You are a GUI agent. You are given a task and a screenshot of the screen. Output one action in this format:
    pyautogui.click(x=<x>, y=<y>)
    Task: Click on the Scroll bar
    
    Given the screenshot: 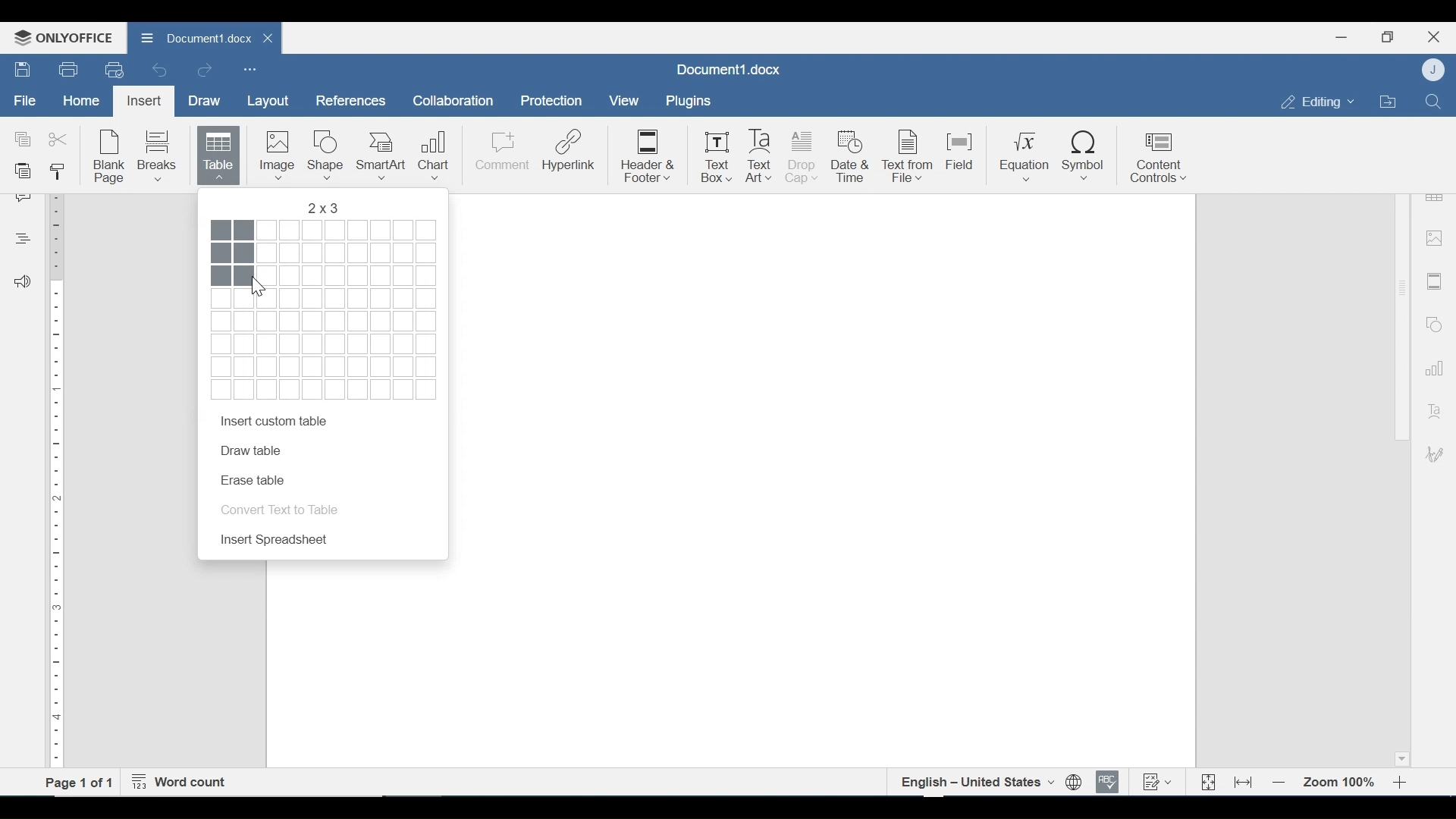 What is the action you would take?
    pyautogui.click(x=1401, y=287)
    